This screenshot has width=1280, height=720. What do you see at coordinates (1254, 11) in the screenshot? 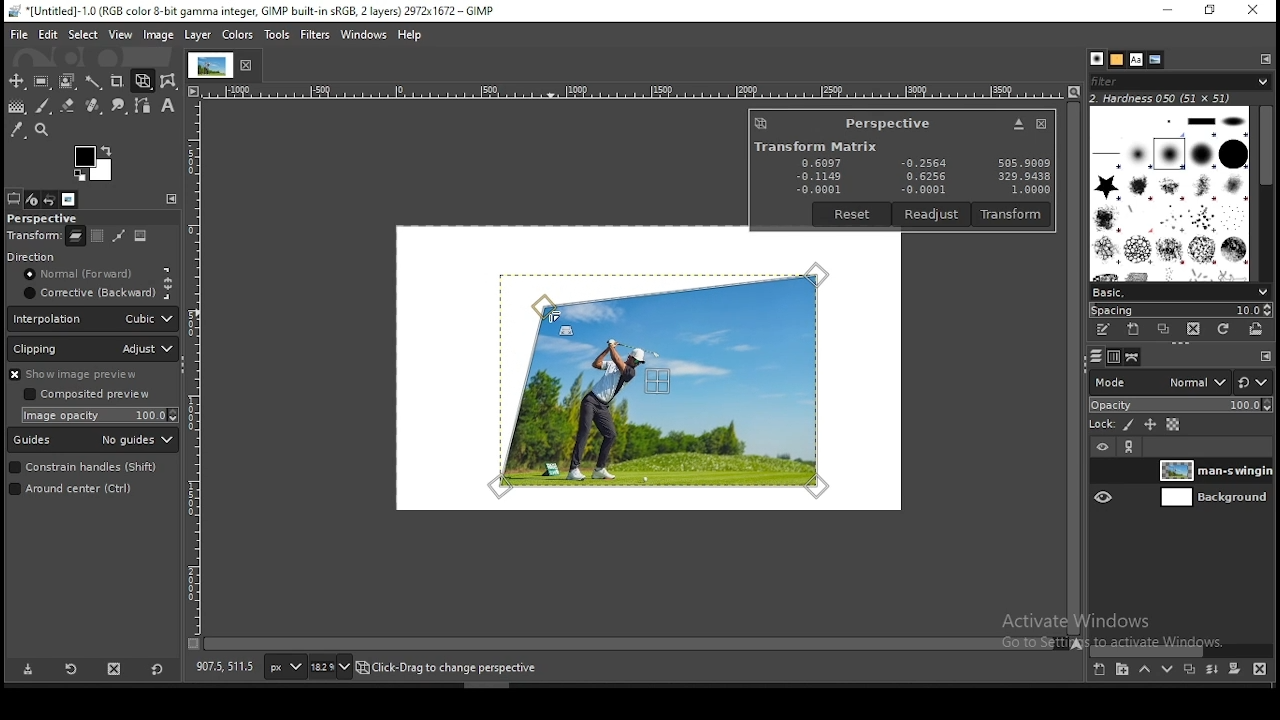
I see `close window` at bounding box center [1254, 11].